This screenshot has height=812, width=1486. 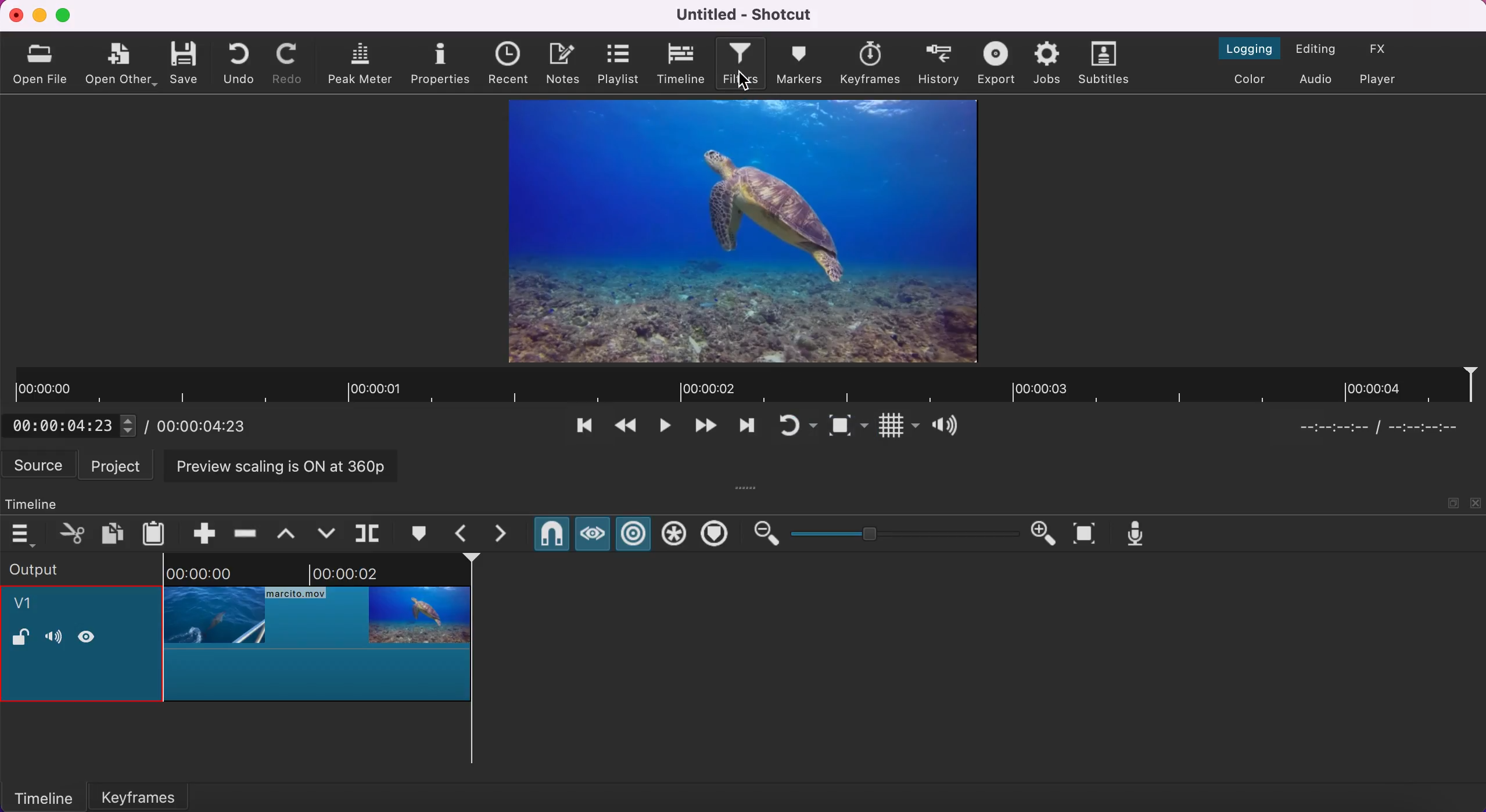 What do you see at coordinates (290, 63) in the screenshot?
I see `redo` at bounding box center [290, 63].